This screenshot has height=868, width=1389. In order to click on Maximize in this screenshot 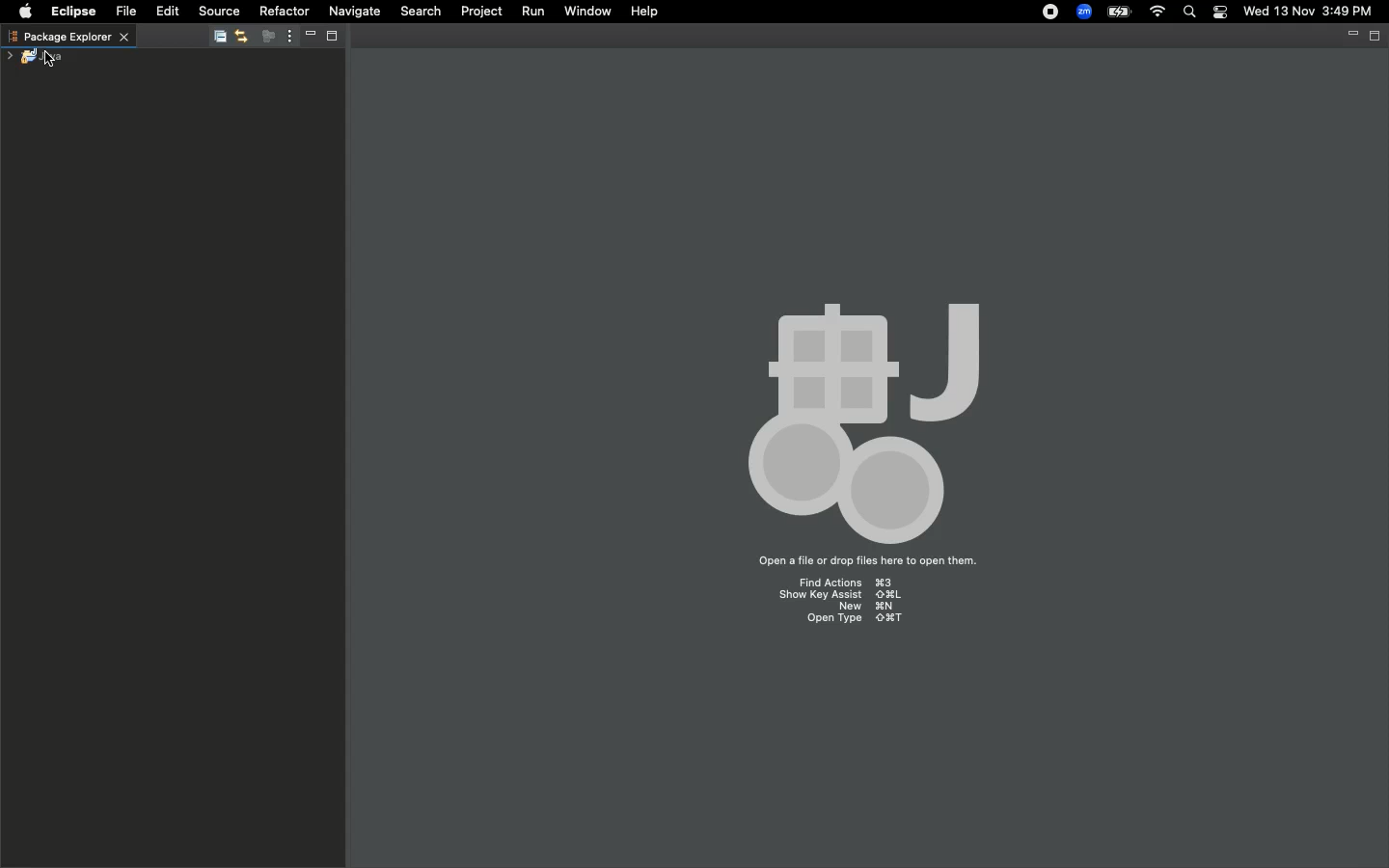, I will do `click(338, 38)`.